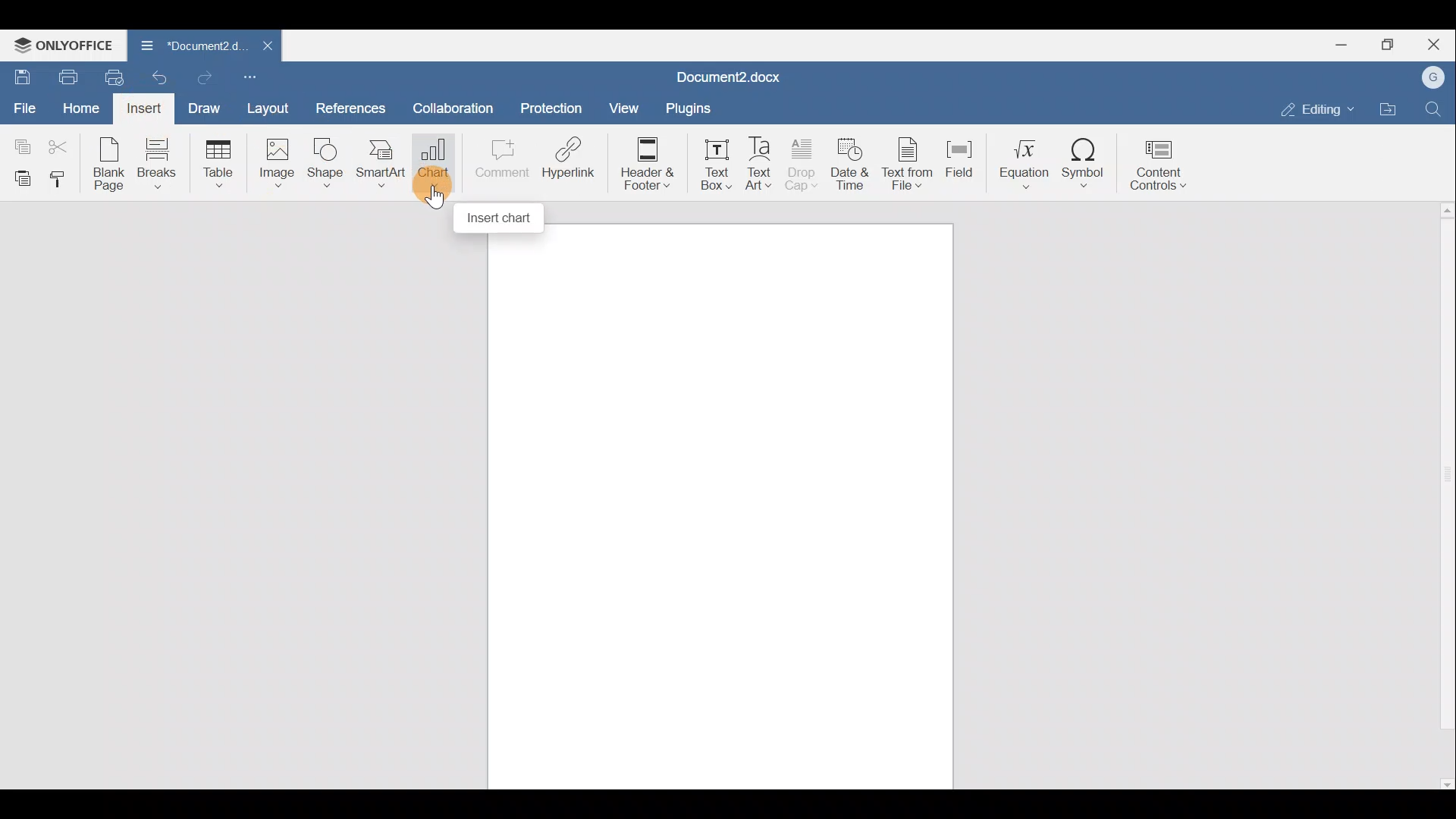 Image resolution: width=1456 pixels, height=819 pixels. Describe the element at coordinates (23, 107) in the screenshot. I see `File` at that location.